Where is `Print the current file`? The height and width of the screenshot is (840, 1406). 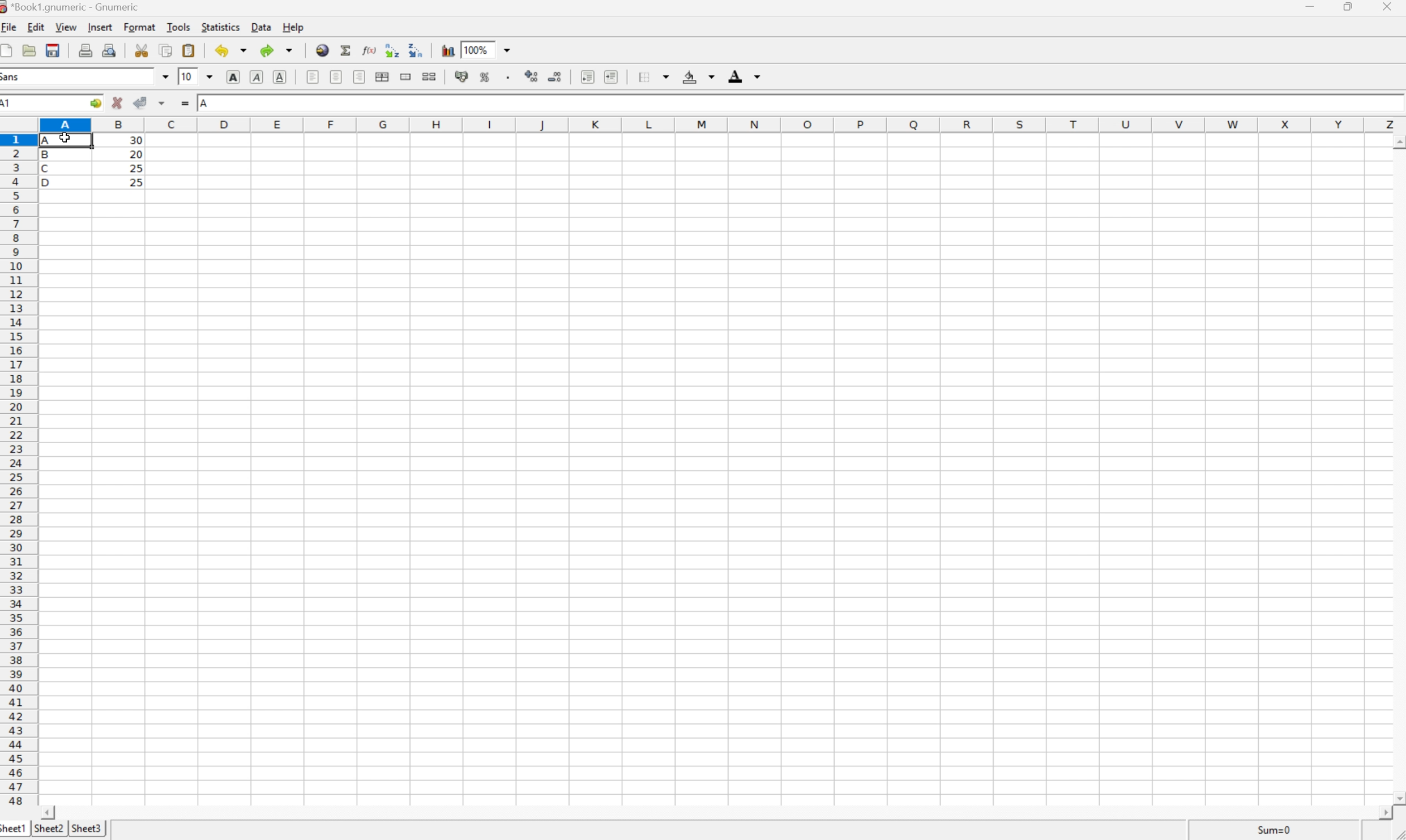 Print the current file is located at coordinates (86, 50).